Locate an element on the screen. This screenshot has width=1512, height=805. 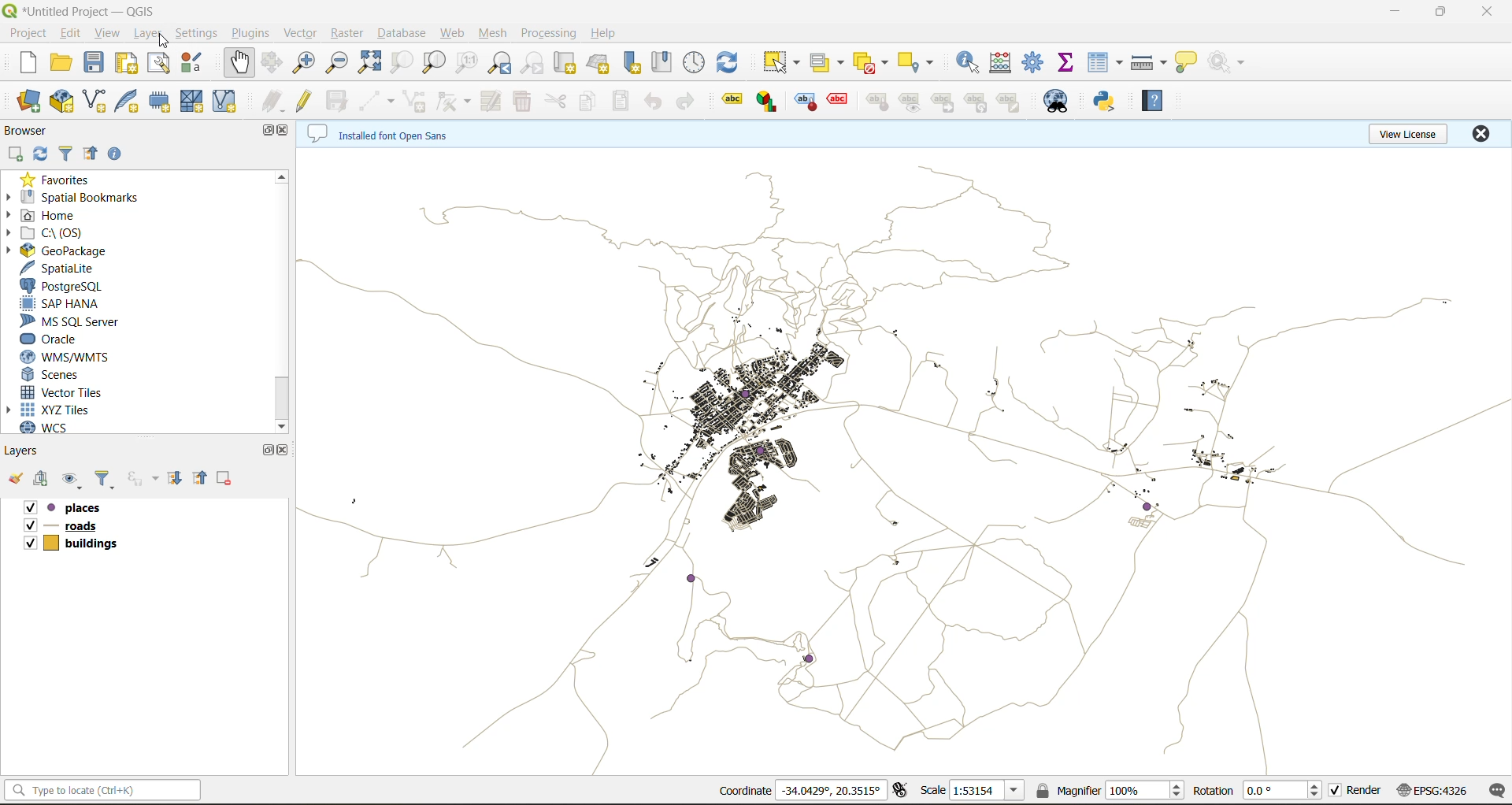
close is located at coordinates (1479, 135).